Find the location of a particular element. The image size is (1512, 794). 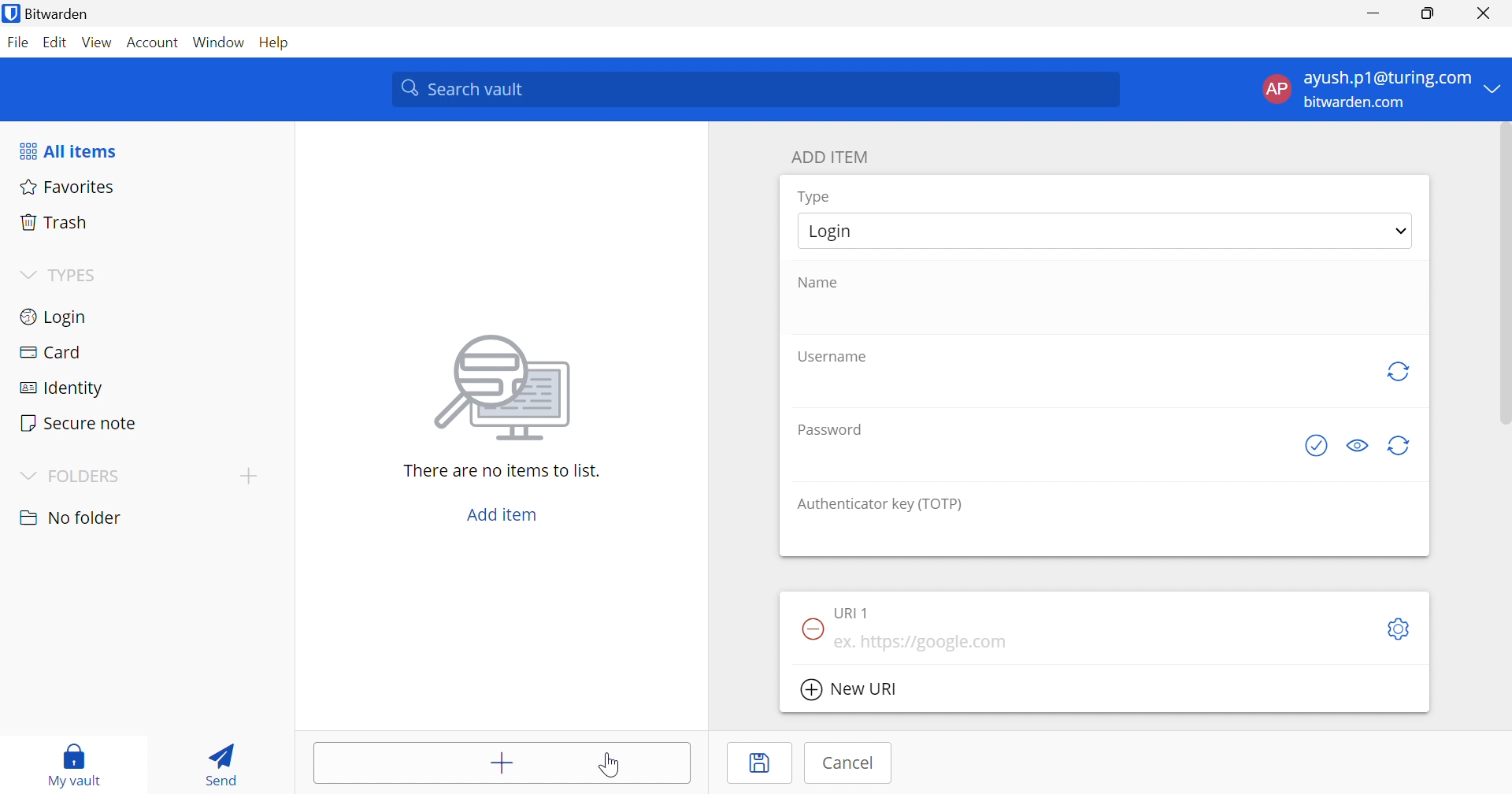

ex. https://google.com is located at coordinates (923, 643).